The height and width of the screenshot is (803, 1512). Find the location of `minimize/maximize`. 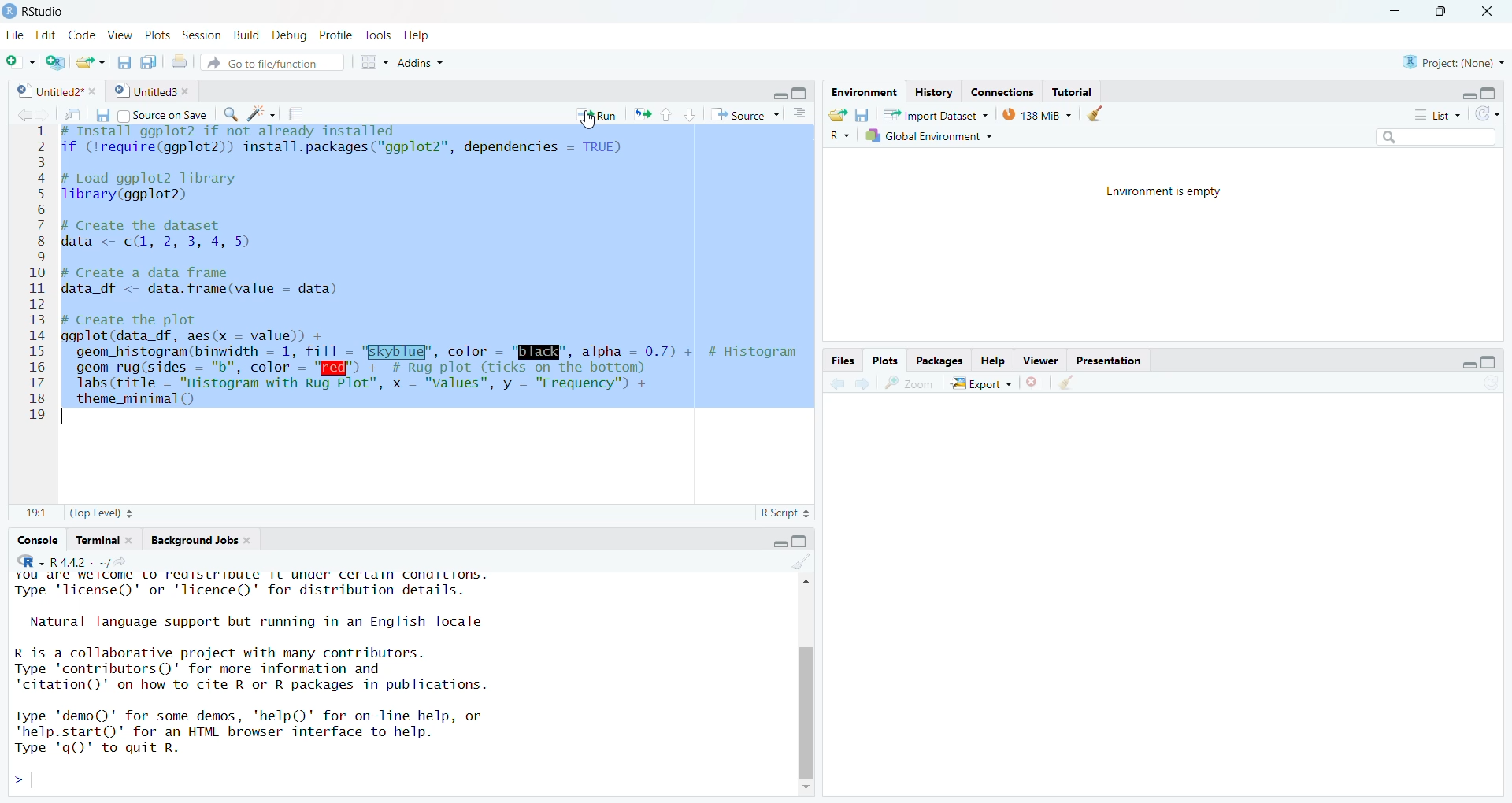

minimize/maximize is located at coordinates (791, 89).